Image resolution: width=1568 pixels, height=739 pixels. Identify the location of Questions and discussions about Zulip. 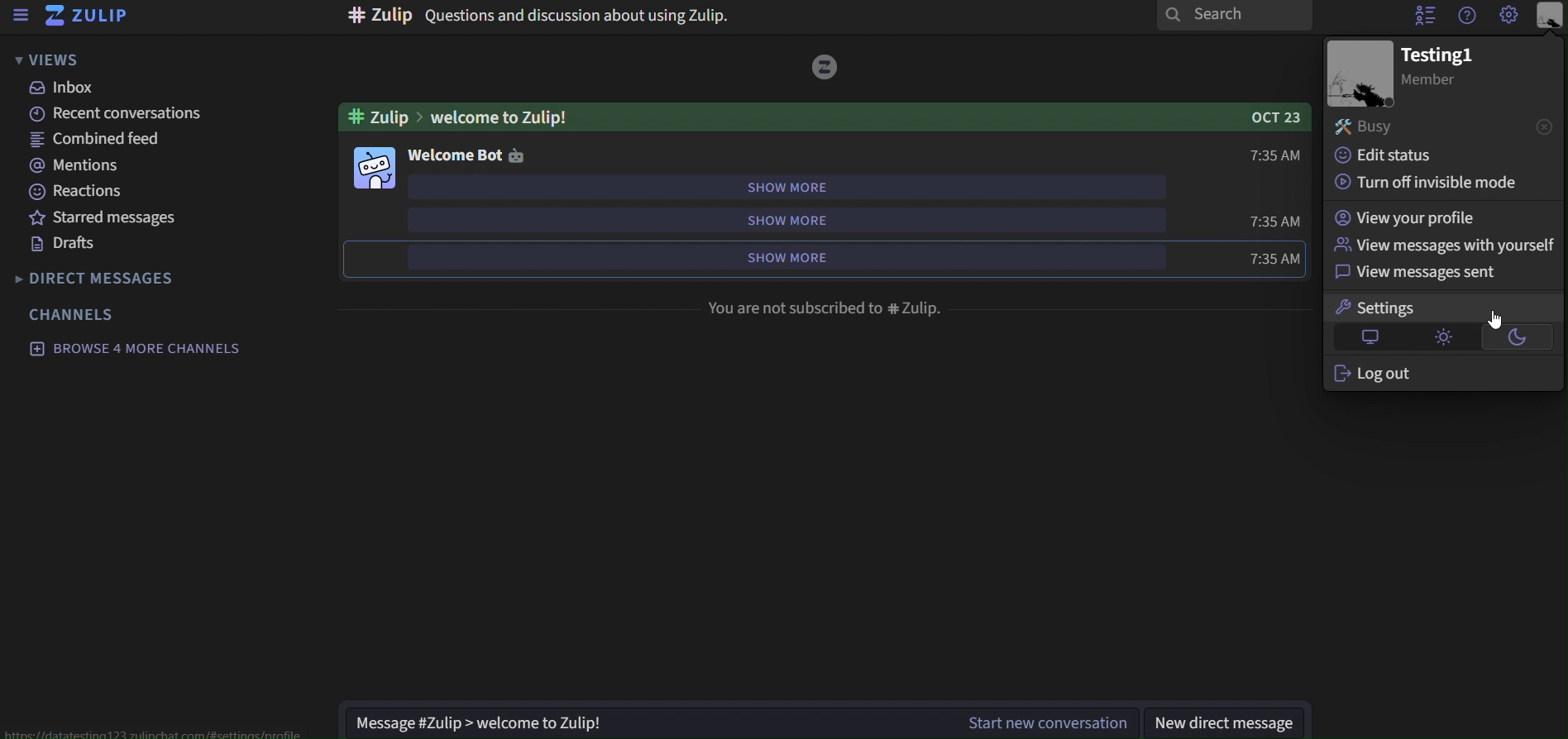
(541, 16).